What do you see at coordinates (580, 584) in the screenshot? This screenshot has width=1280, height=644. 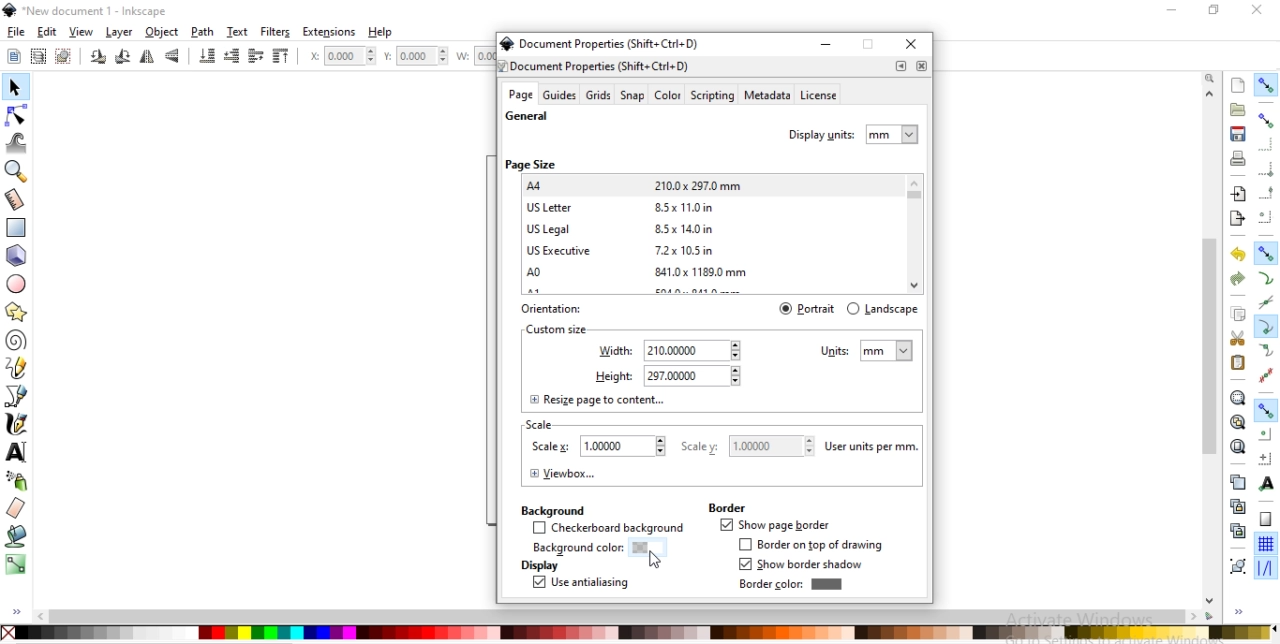 I see `use antiliasing` at bounding box center [580, 584].